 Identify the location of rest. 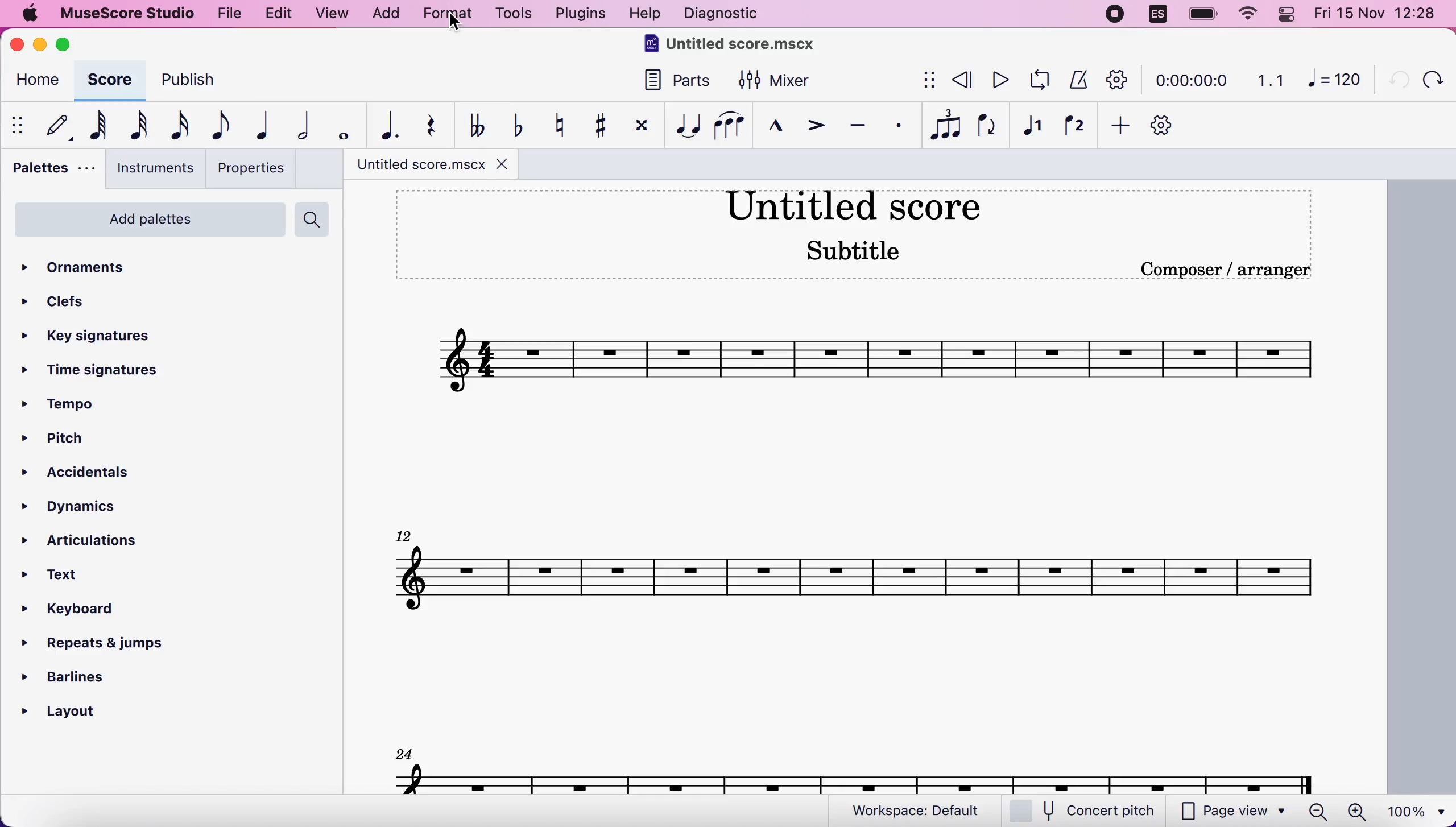
(425, 126).